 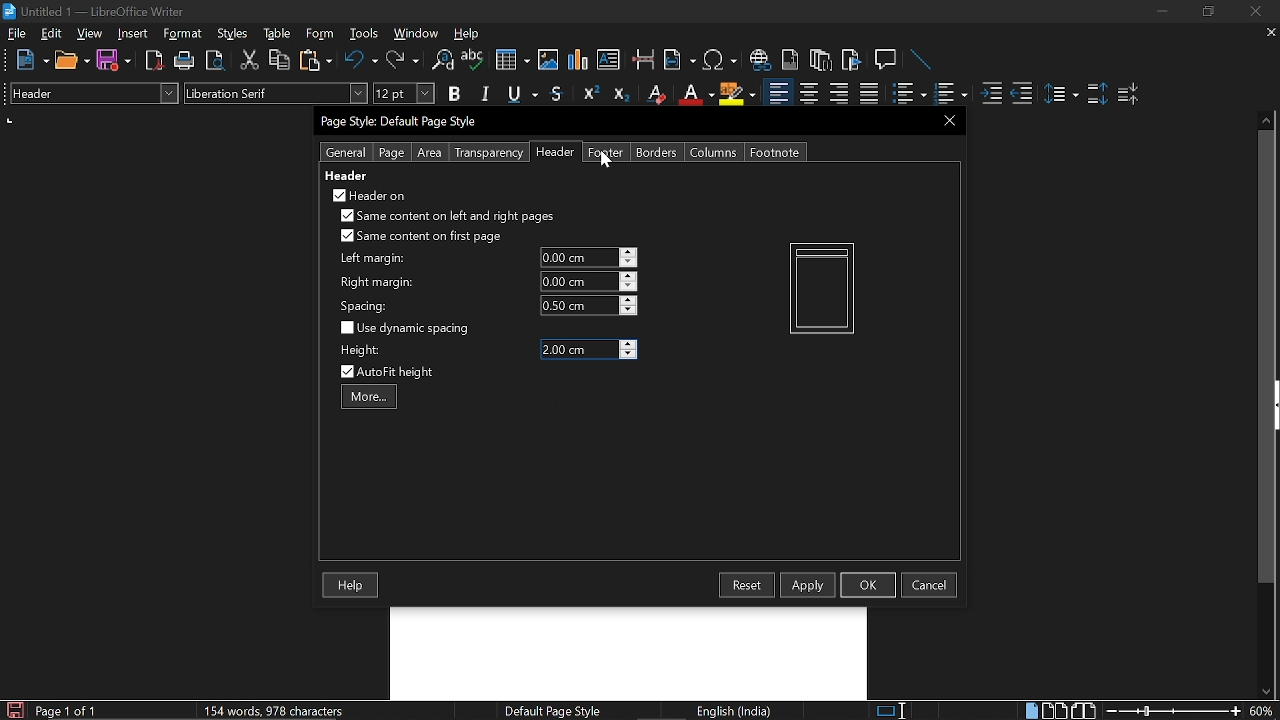 What do you see at coordinates (17, 33) in the screenshot?
I see `File` at bounding box center [17, 33].